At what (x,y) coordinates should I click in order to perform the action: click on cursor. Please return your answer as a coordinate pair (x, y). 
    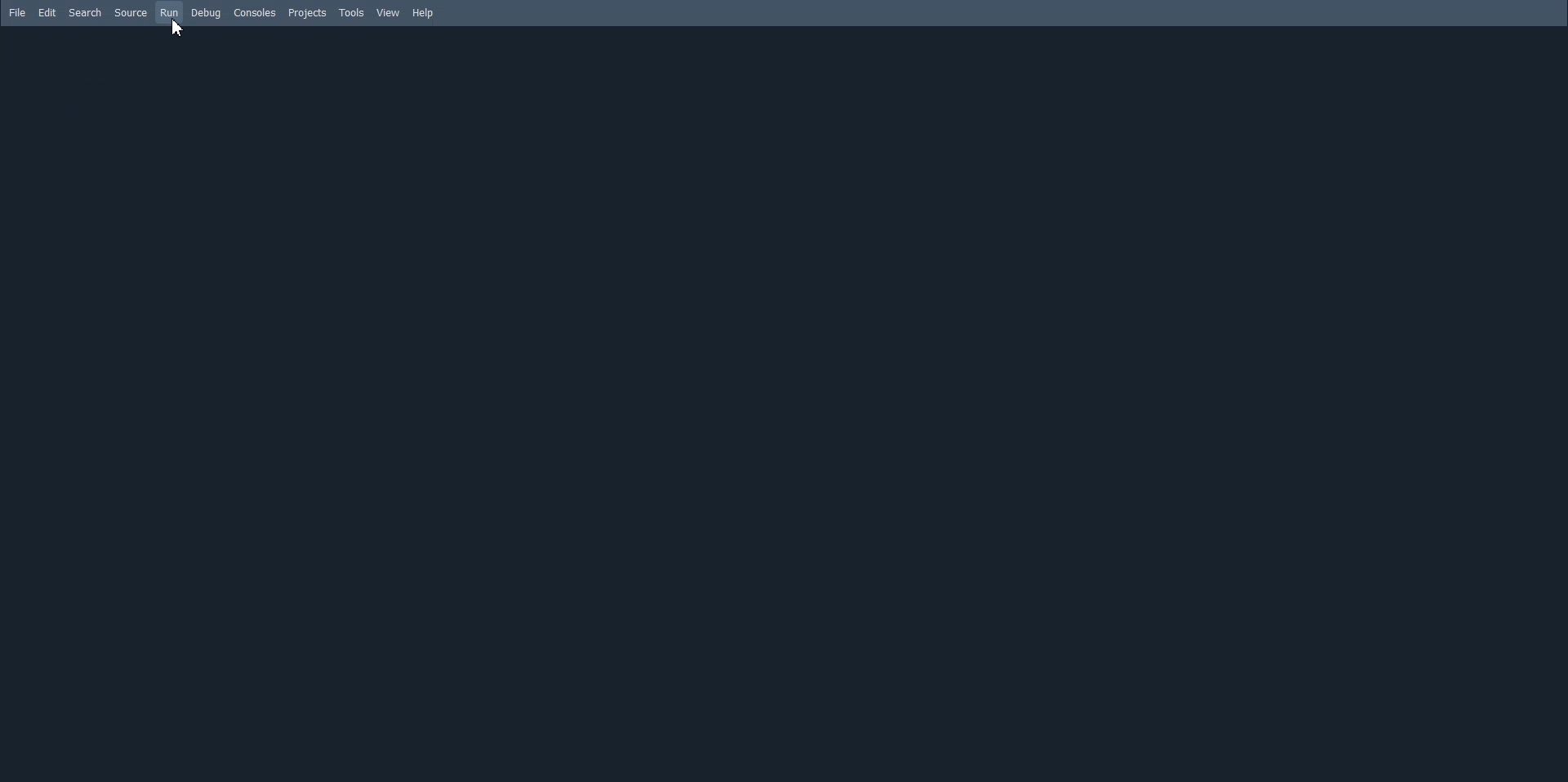
    Looking at the image, I should click on (175, 28).